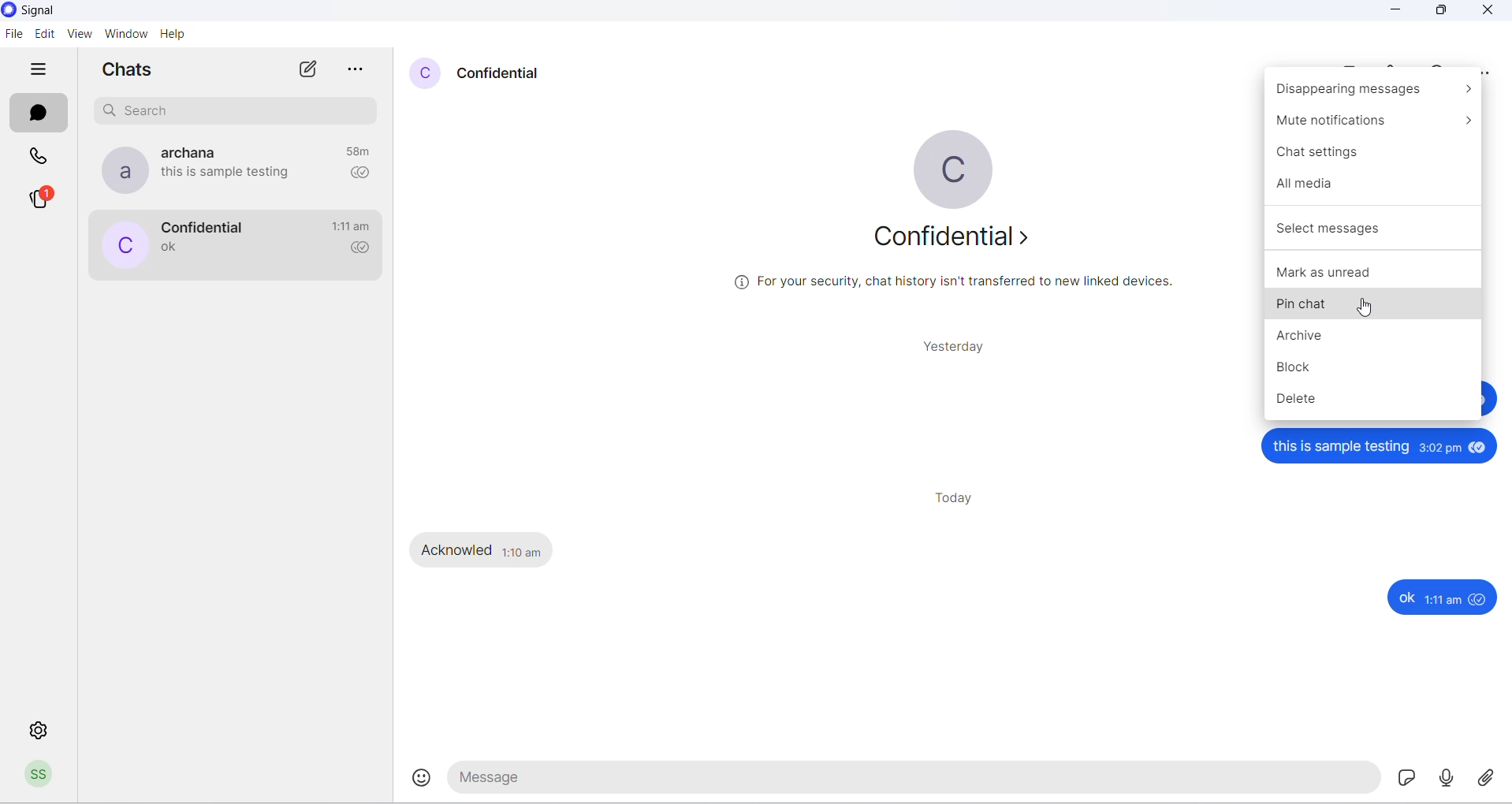  I want to click on last message, so click(230, 173).